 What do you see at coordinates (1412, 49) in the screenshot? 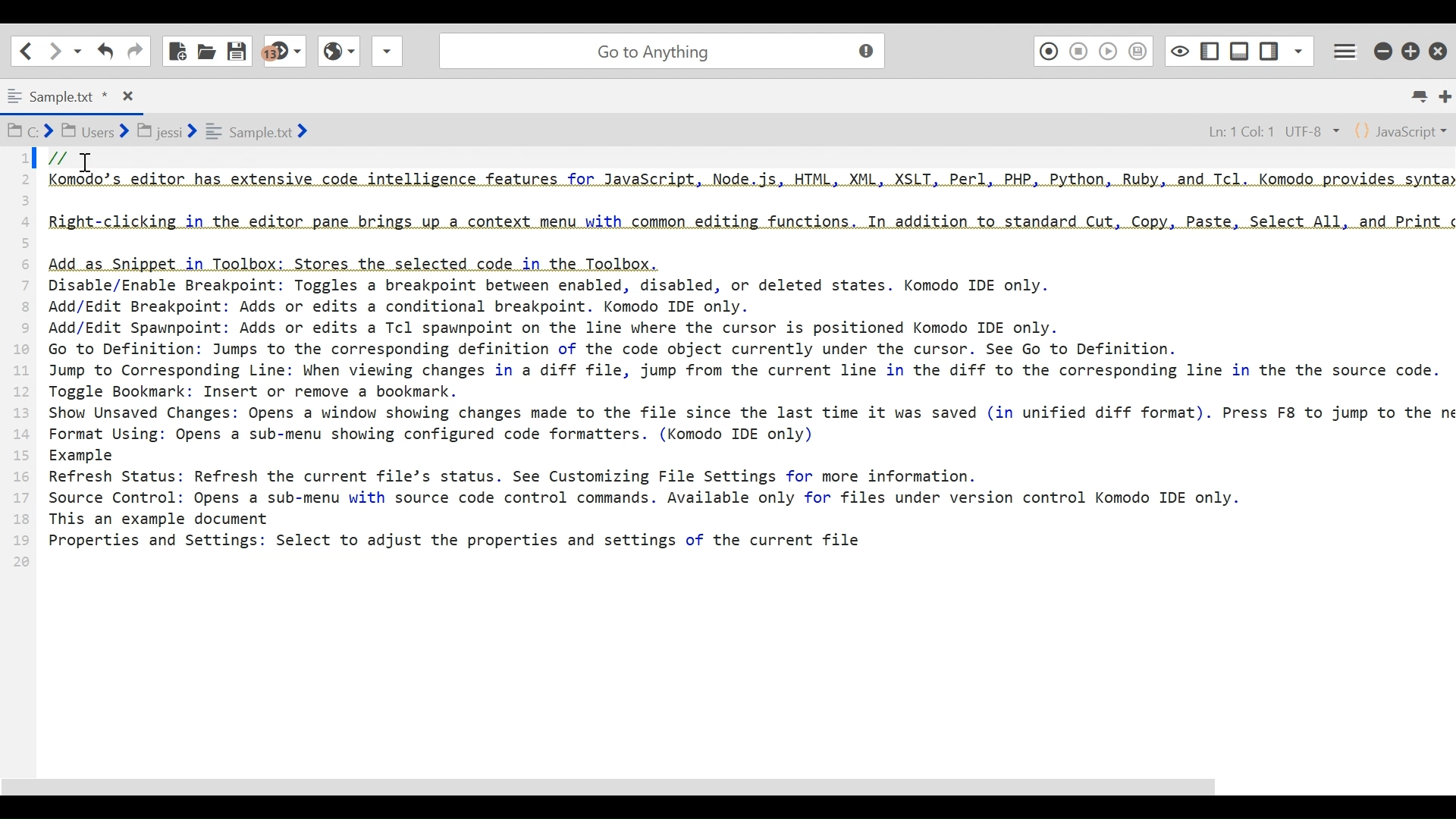
I see `Restore` at bounding box center [1412, 49].